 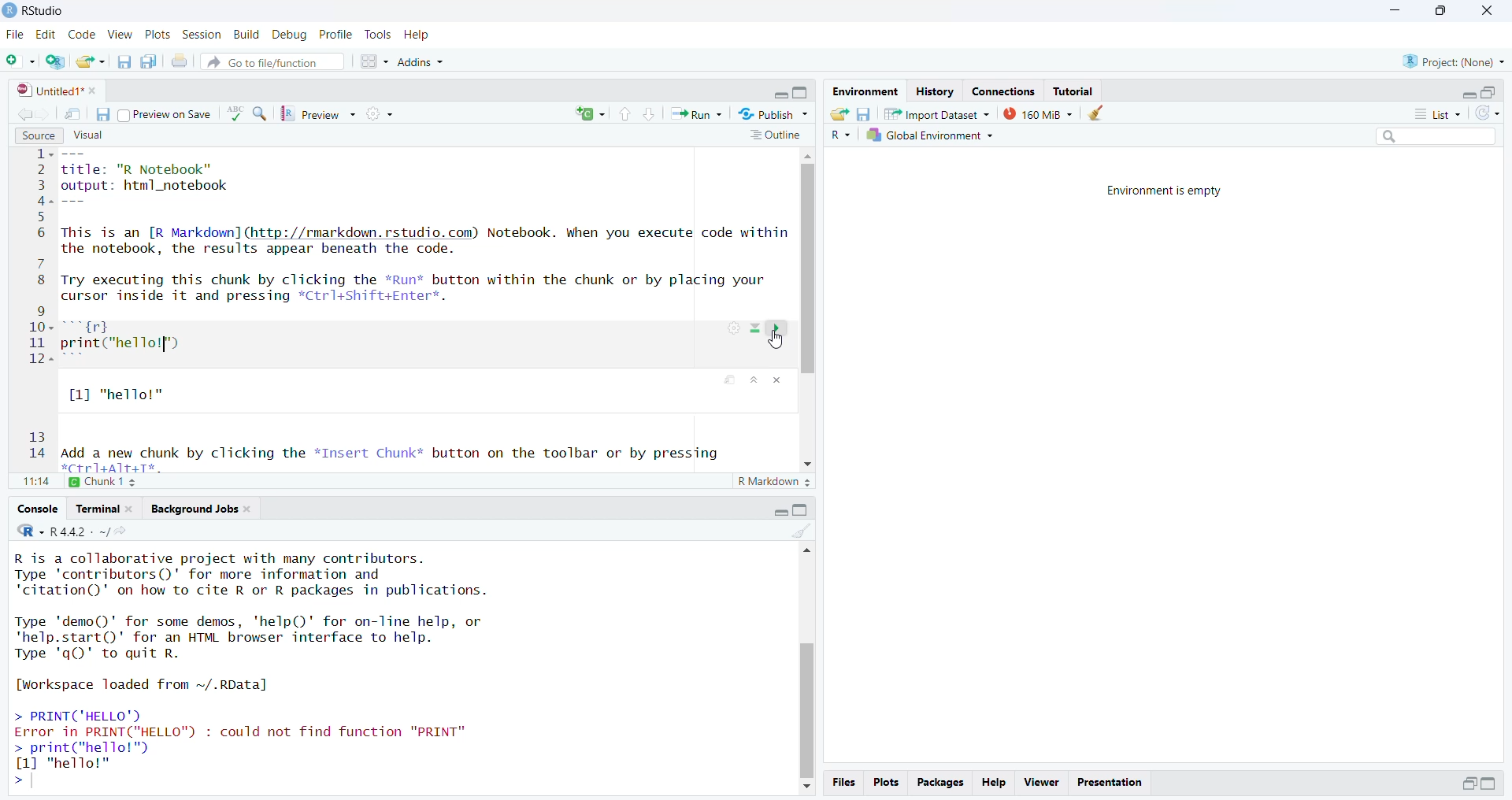 What do you see at coordinates (864, 113) in the screenshot?
I see `save workspace` at bounding box center [864, 113].